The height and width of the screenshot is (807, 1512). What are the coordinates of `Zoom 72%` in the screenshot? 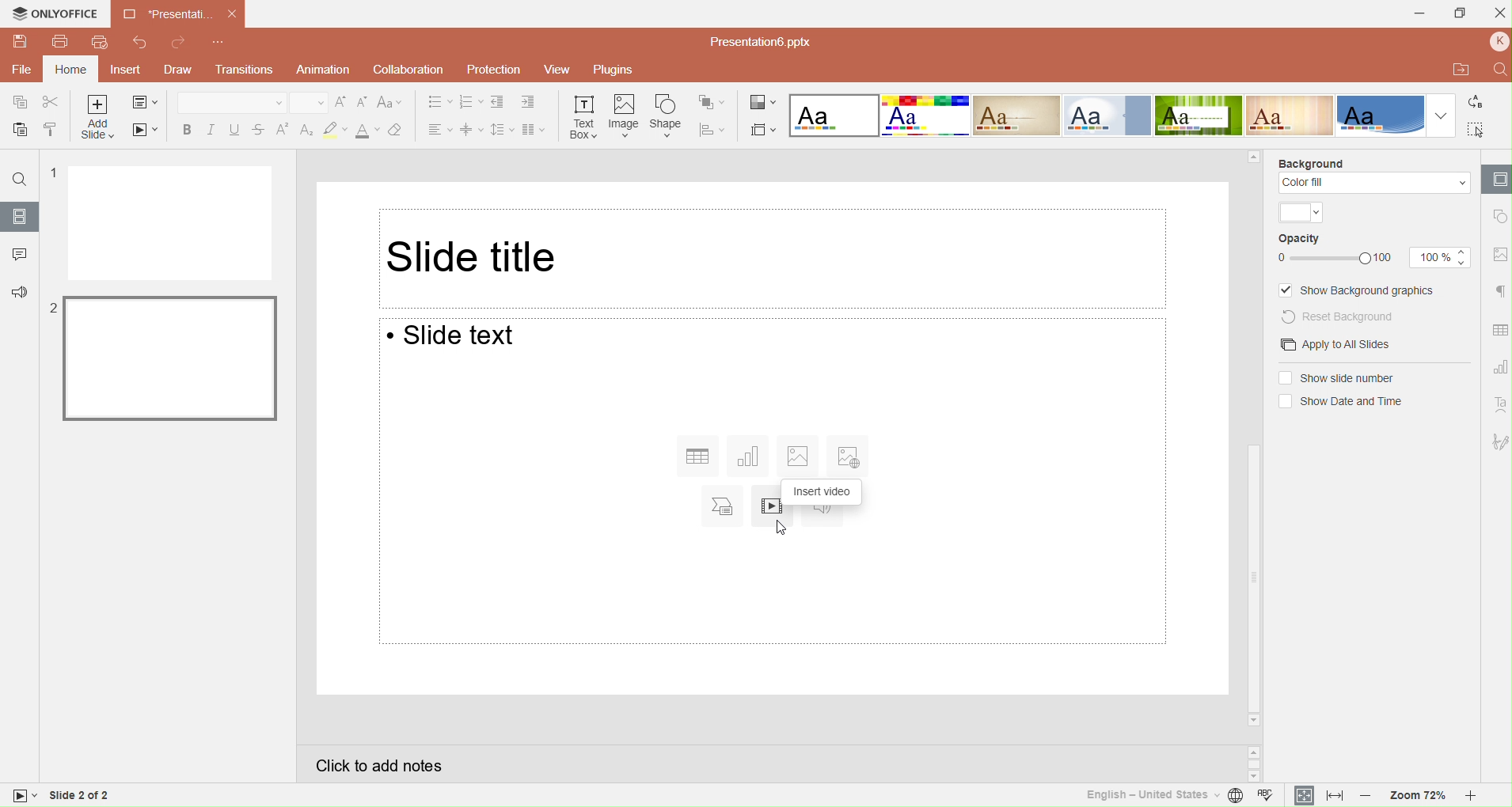 It's located at (1419, 796).